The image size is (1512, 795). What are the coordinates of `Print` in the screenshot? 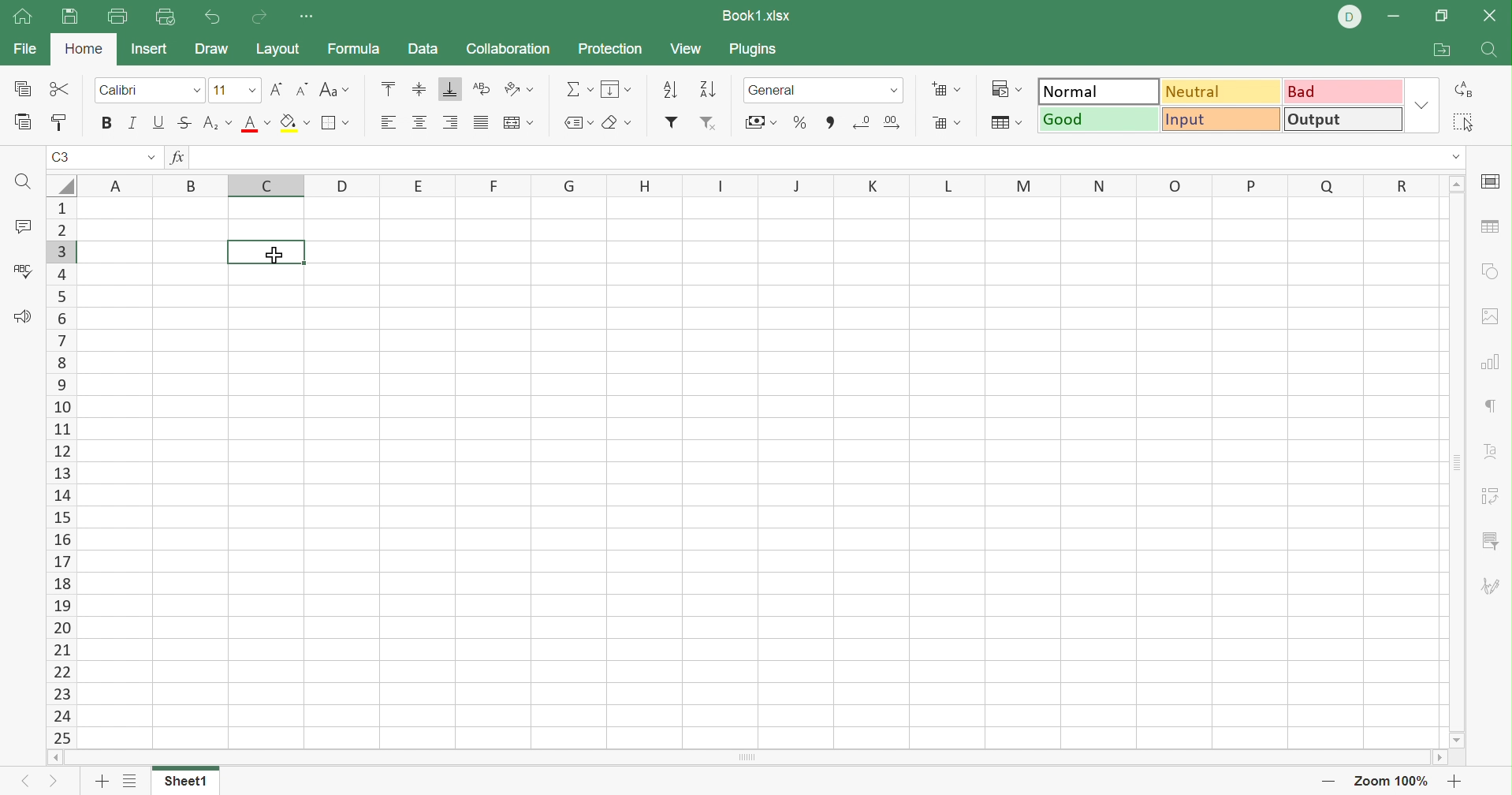 It's located at (115, 17).